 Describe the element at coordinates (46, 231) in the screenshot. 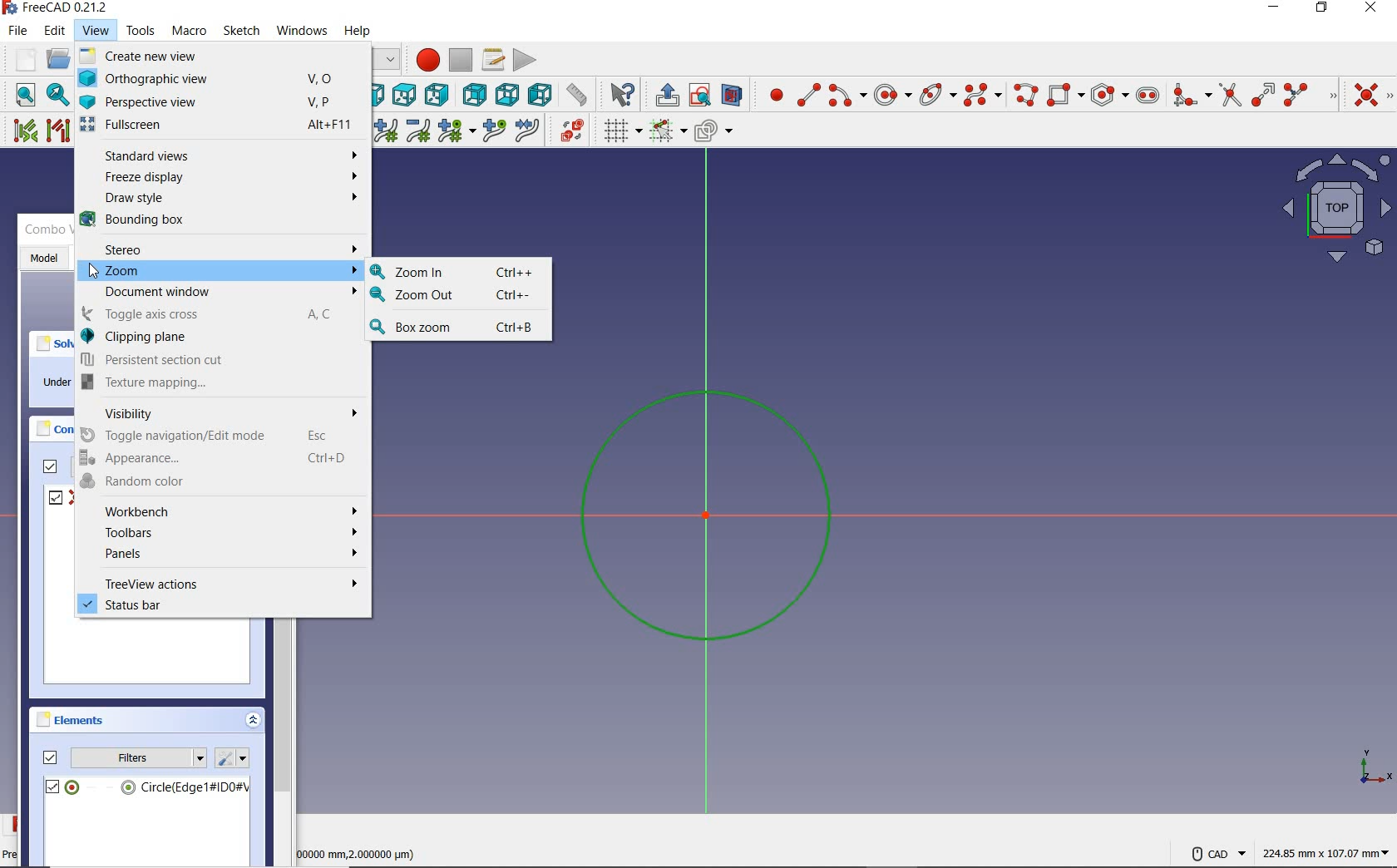

I see `combo view` at that location.